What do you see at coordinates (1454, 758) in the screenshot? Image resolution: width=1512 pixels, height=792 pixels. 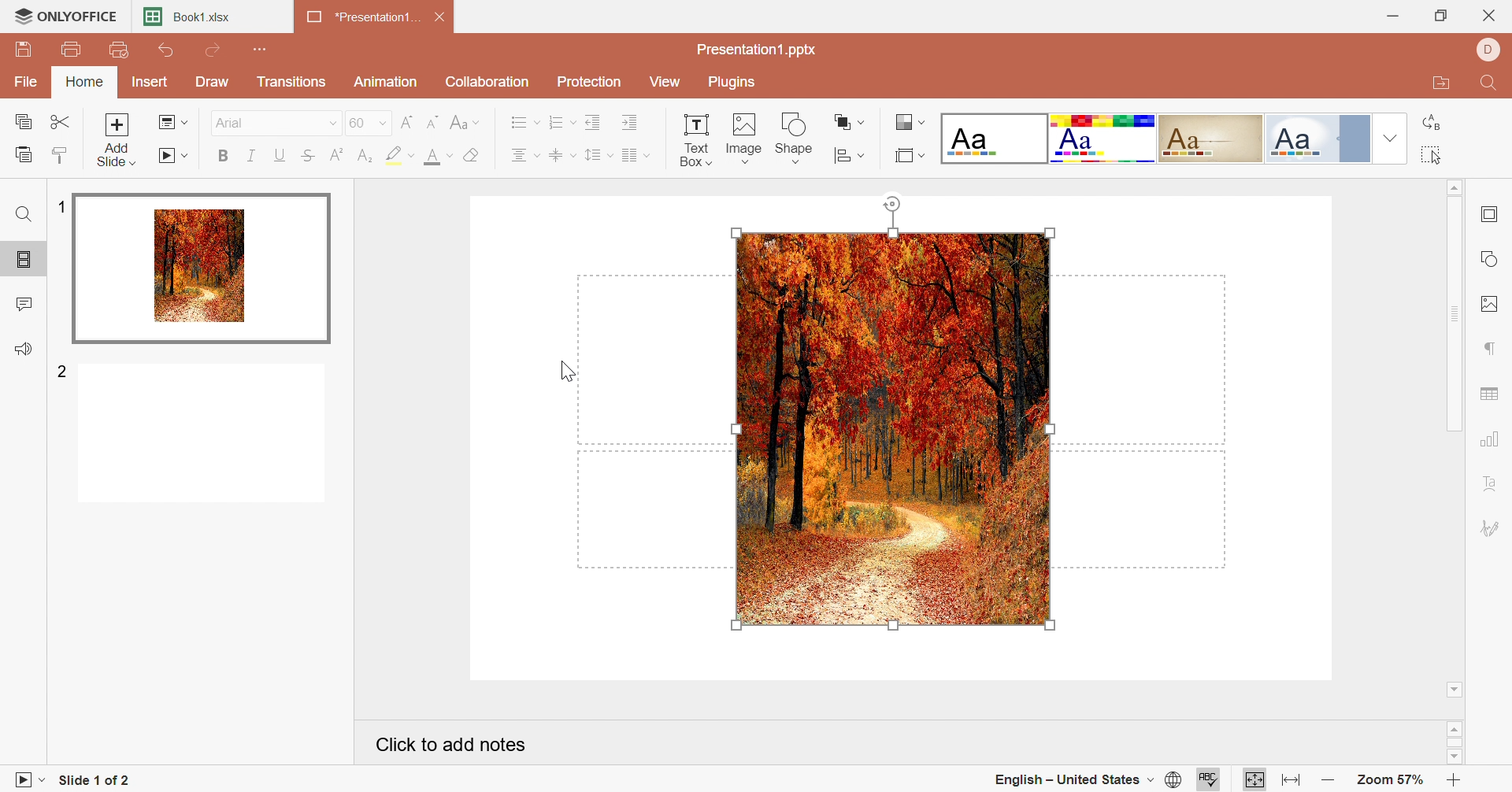 I see `scroll down` at bounding box center [1454, 758].